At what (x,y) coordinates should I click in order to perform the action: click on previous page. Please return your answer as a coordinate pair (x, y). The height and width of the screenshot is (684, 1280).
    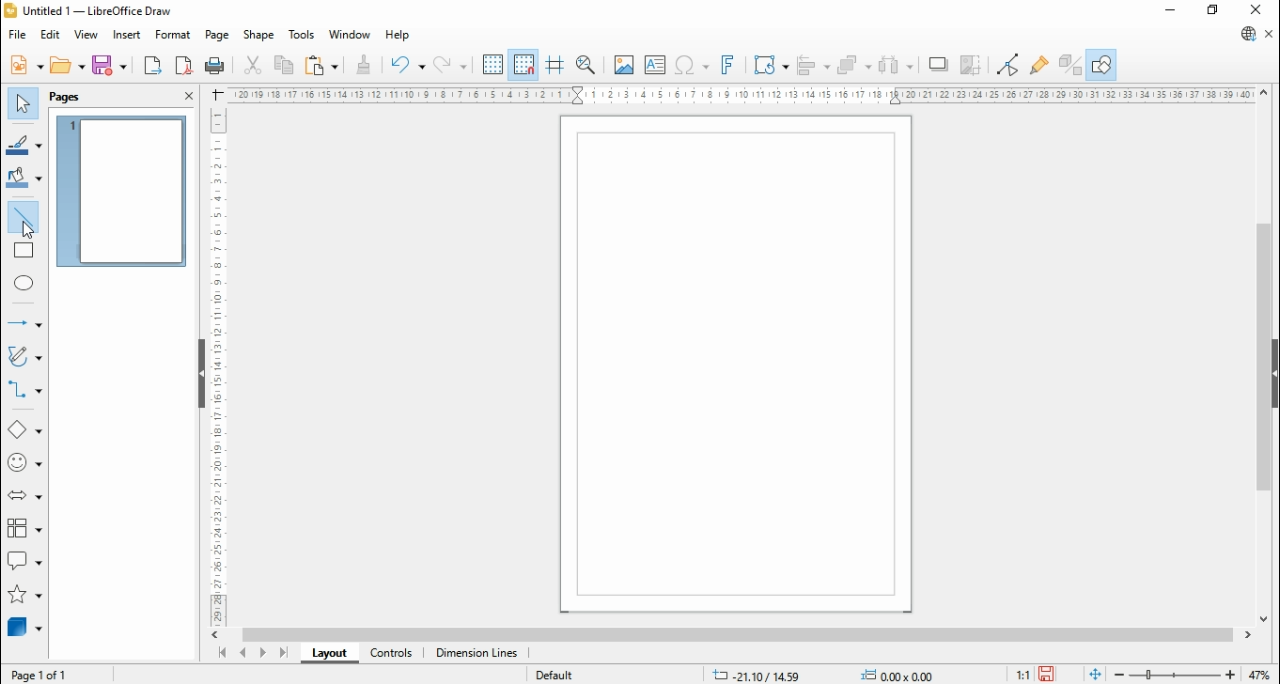
    Looking at the image, I should click on (242, 653).